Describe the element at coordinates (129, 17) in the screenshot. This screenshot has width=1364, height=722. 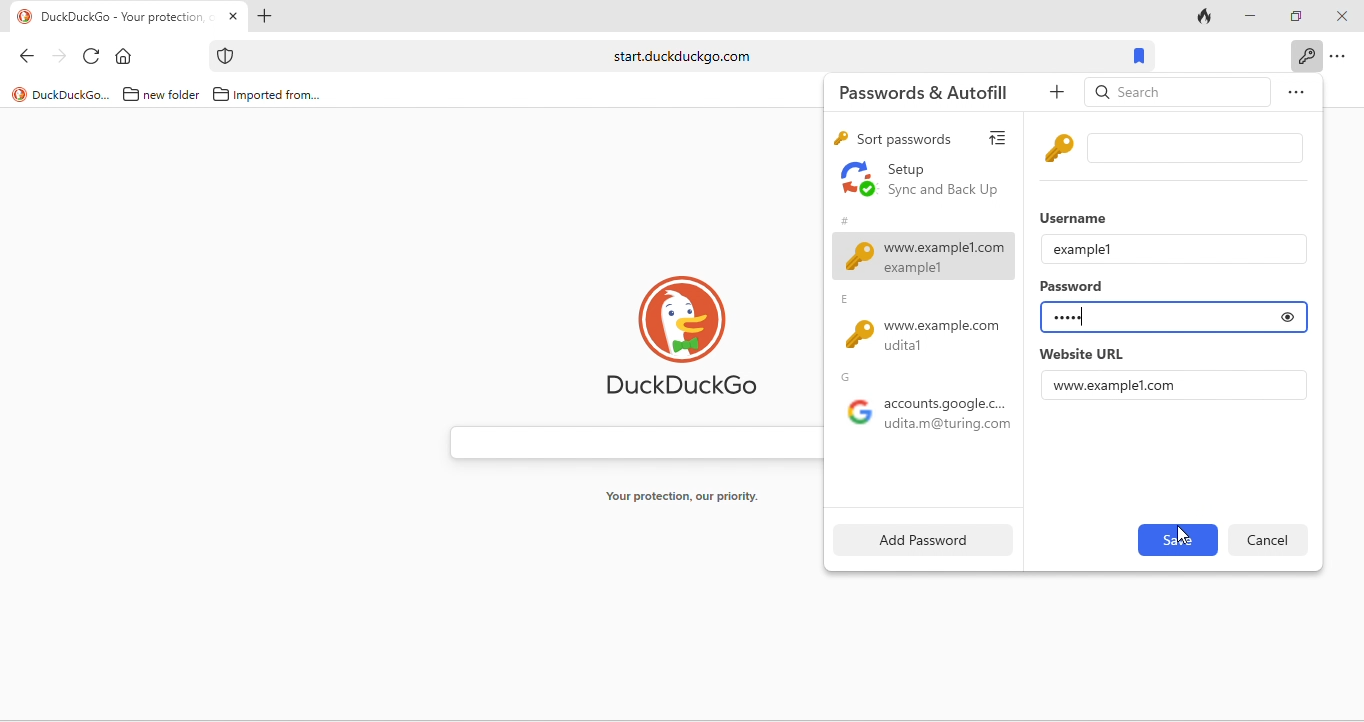
I see `DuckDuckGo - Your protection` at that location.